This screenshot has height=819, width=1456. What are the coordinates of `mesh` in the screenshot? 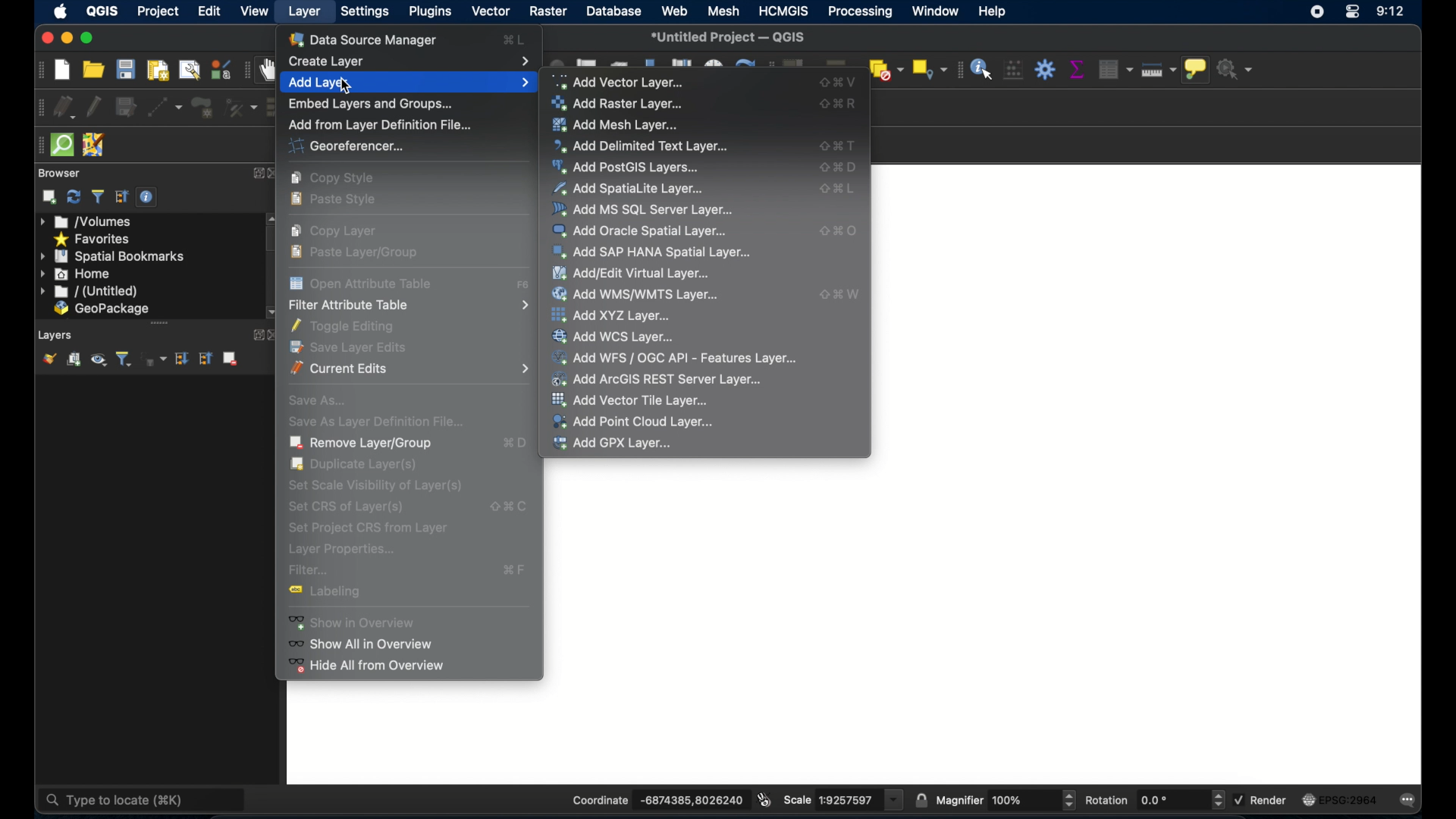 It's located at (724, 11).